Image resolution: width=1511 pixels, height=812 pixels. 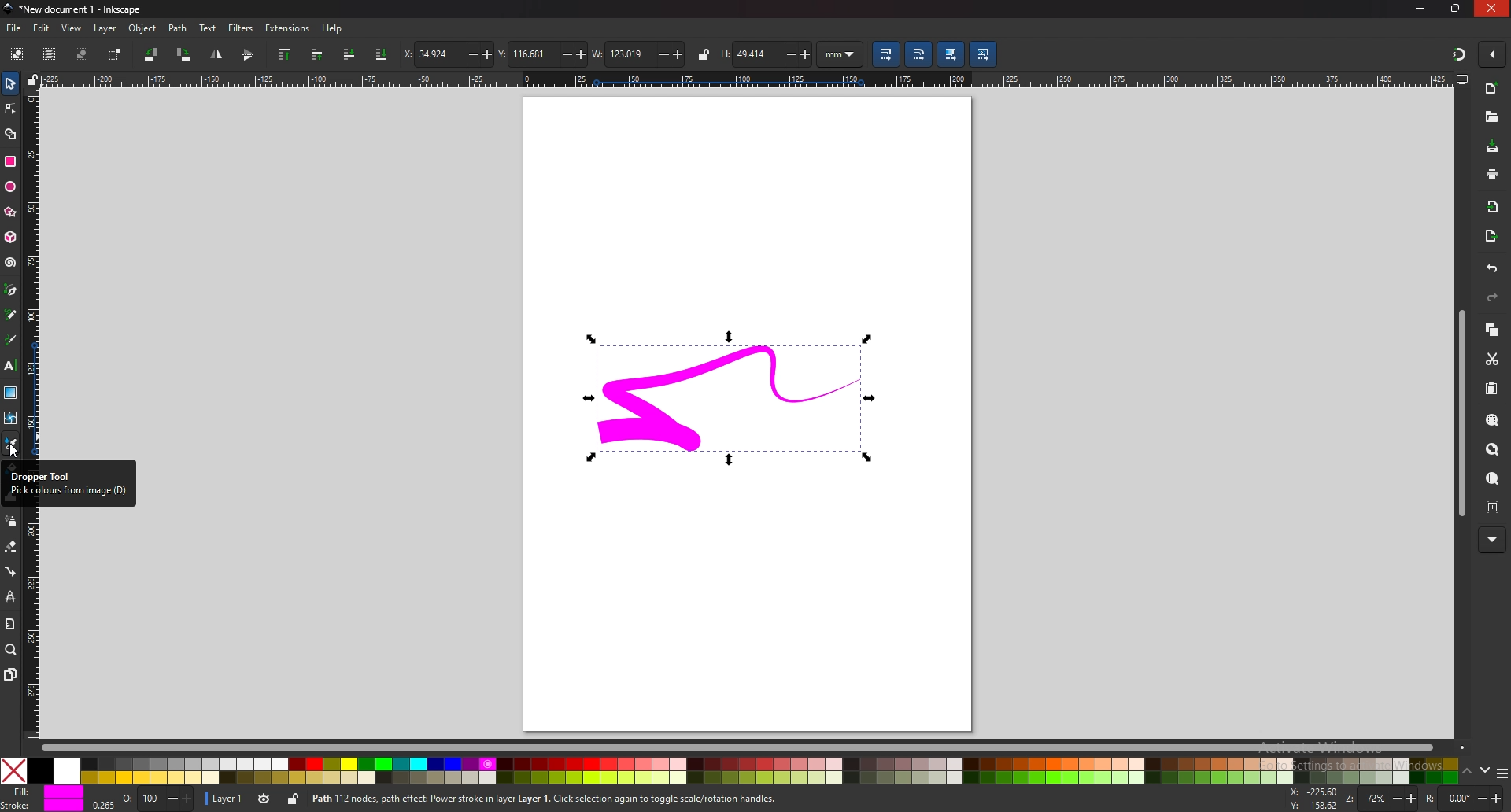 I want to click on shape builder, so click(x=10, y=135).